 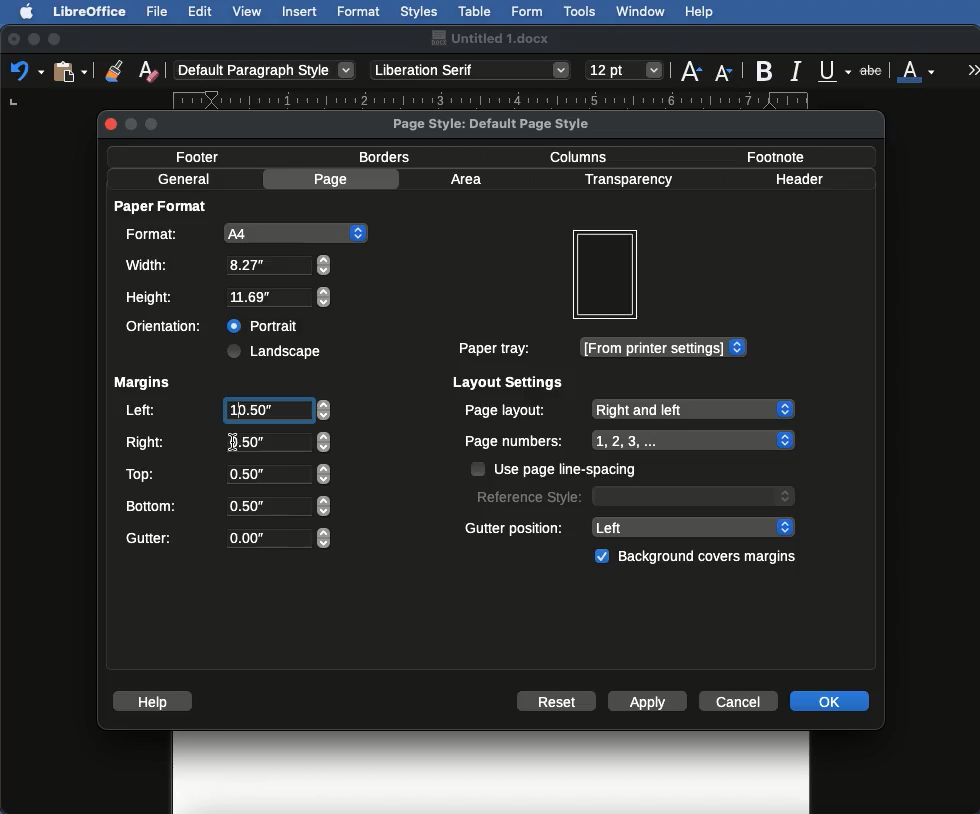 I want to click on Right, so click(x=226, y=443).